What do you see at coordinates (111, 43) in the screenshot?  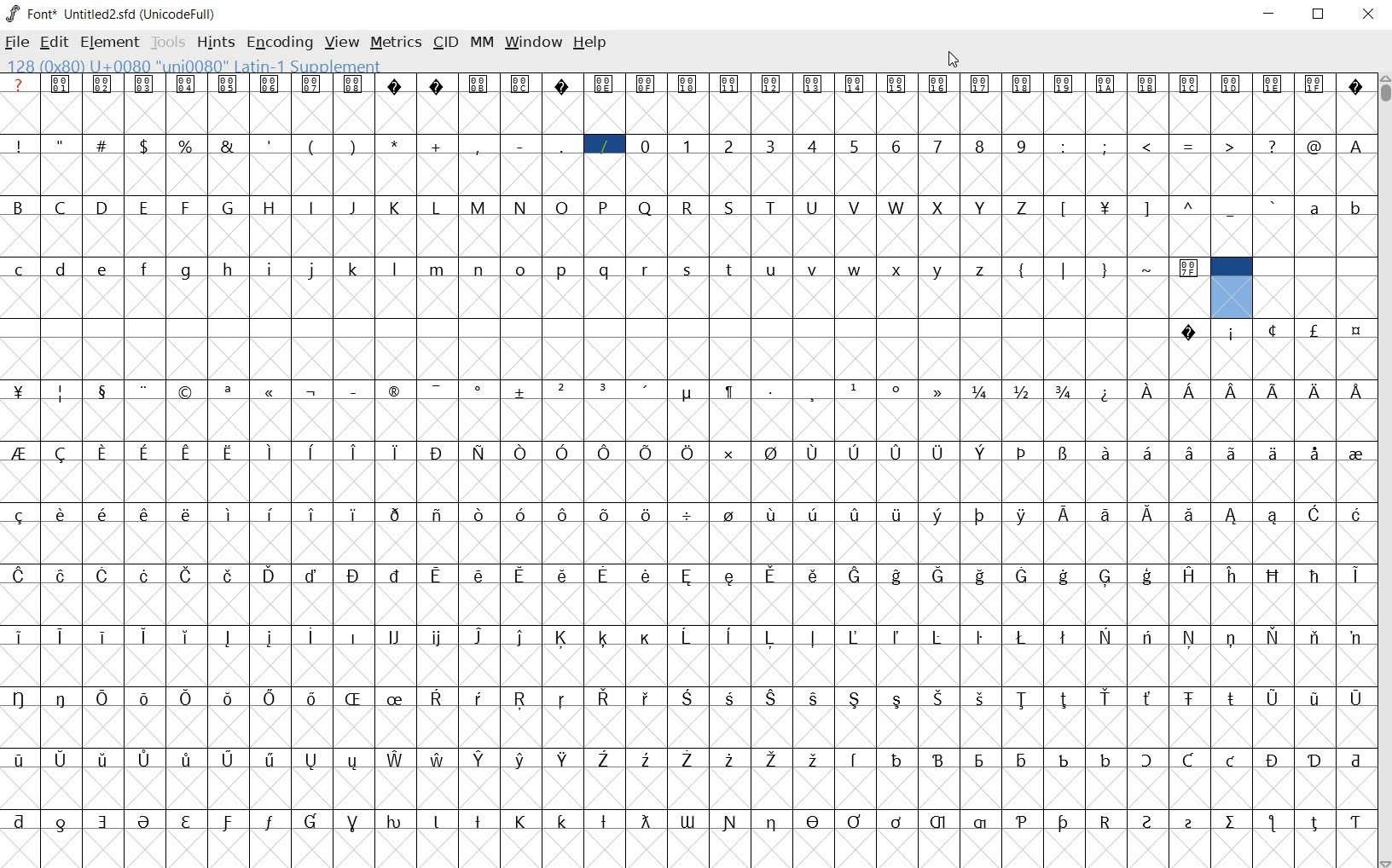 I see `element` at bounding box center [111, 43].